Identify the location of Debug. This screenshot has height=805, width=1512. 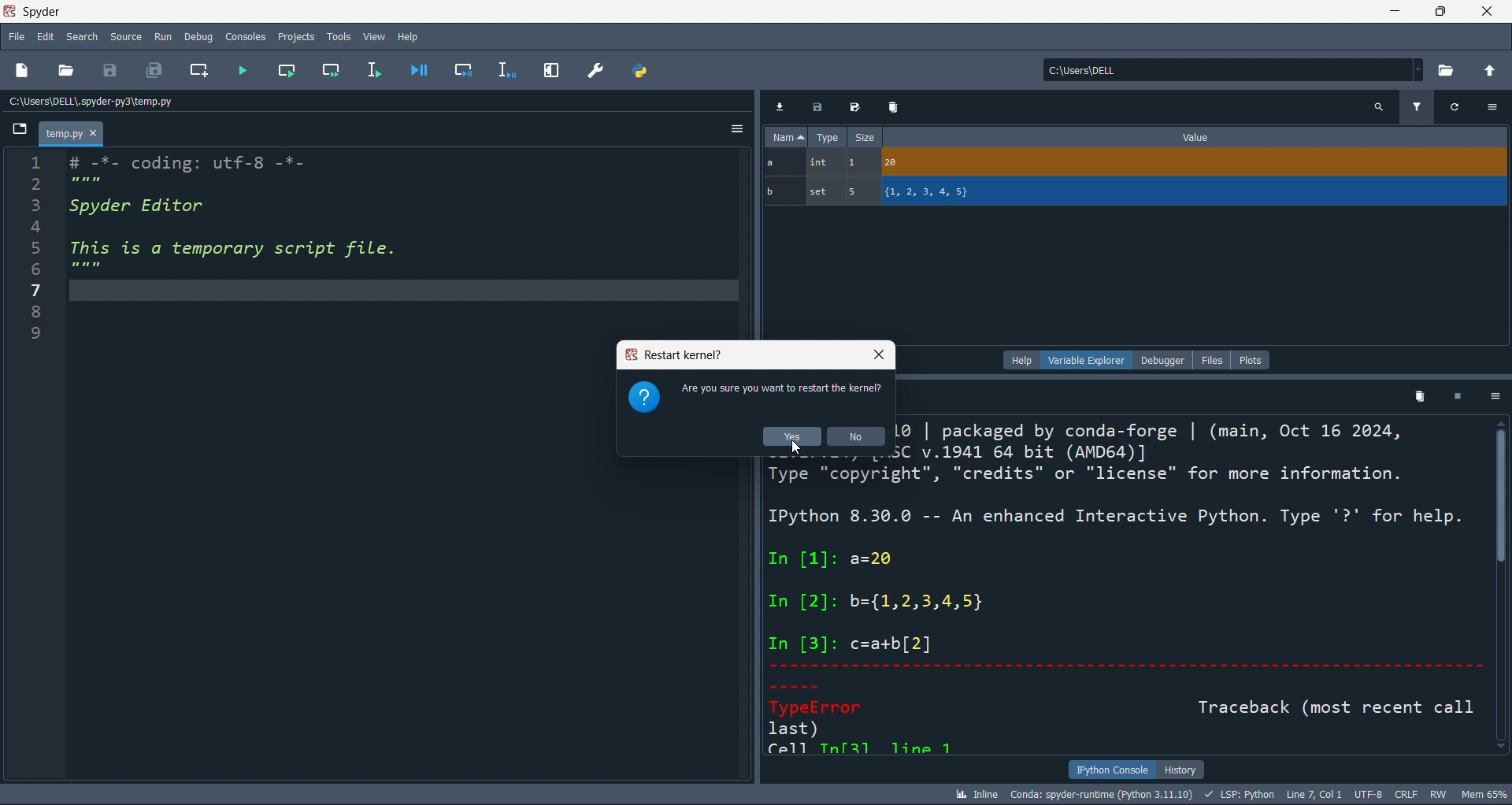
(202, 38).